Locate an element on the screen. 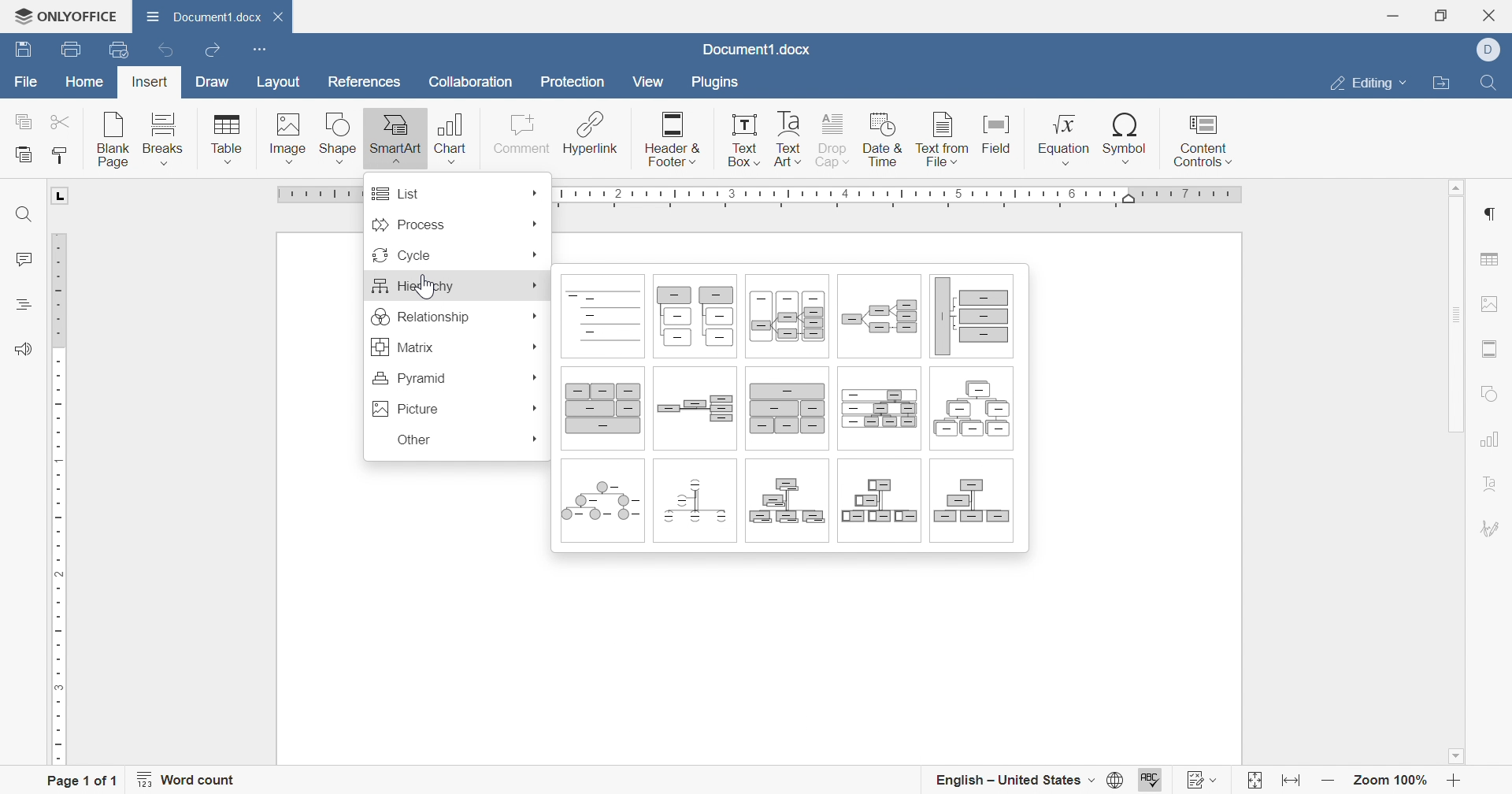  Collaboration is located at coordinates (469, 82).